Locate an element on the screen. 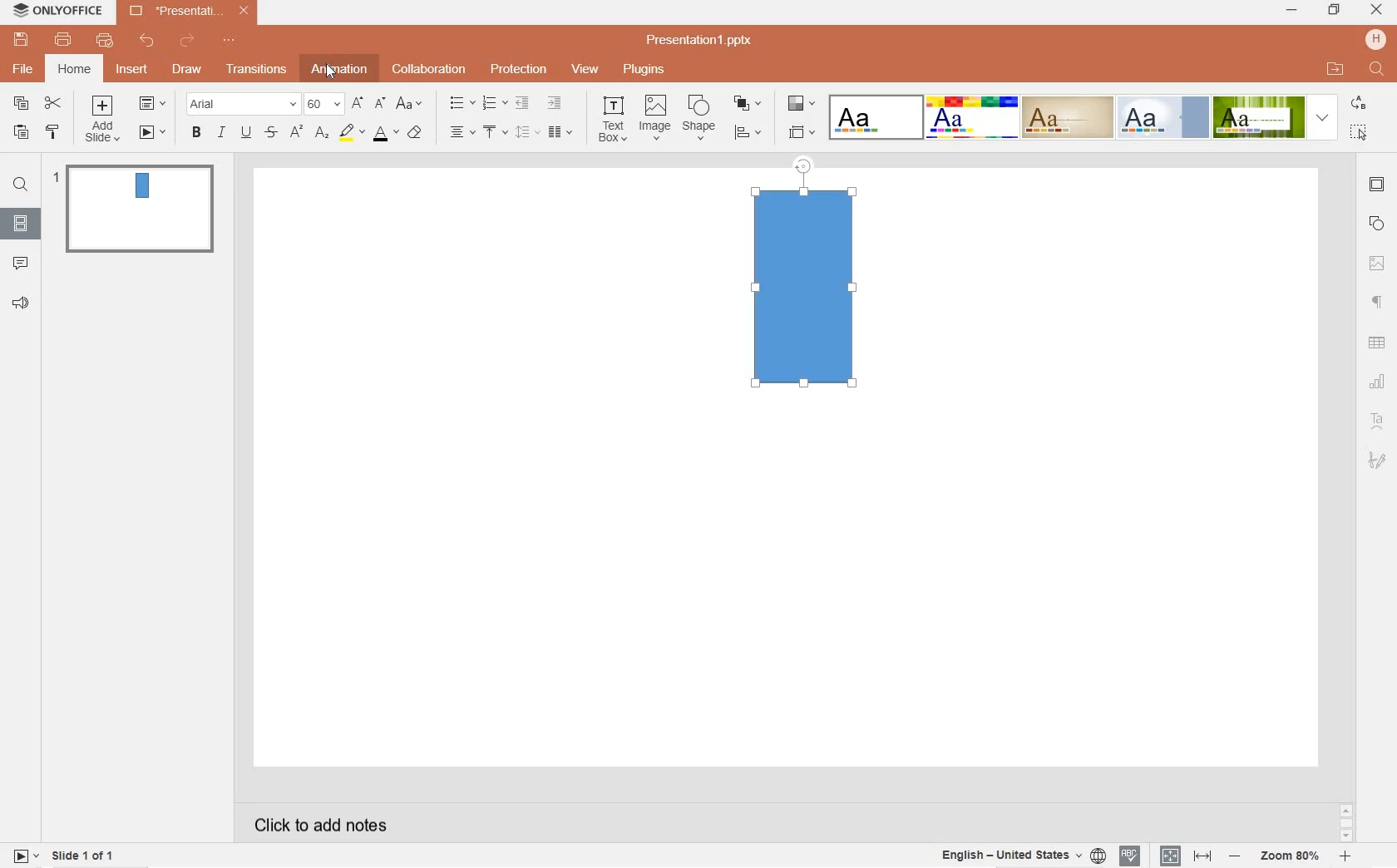  start slide show is located at coordinates (26, 855).